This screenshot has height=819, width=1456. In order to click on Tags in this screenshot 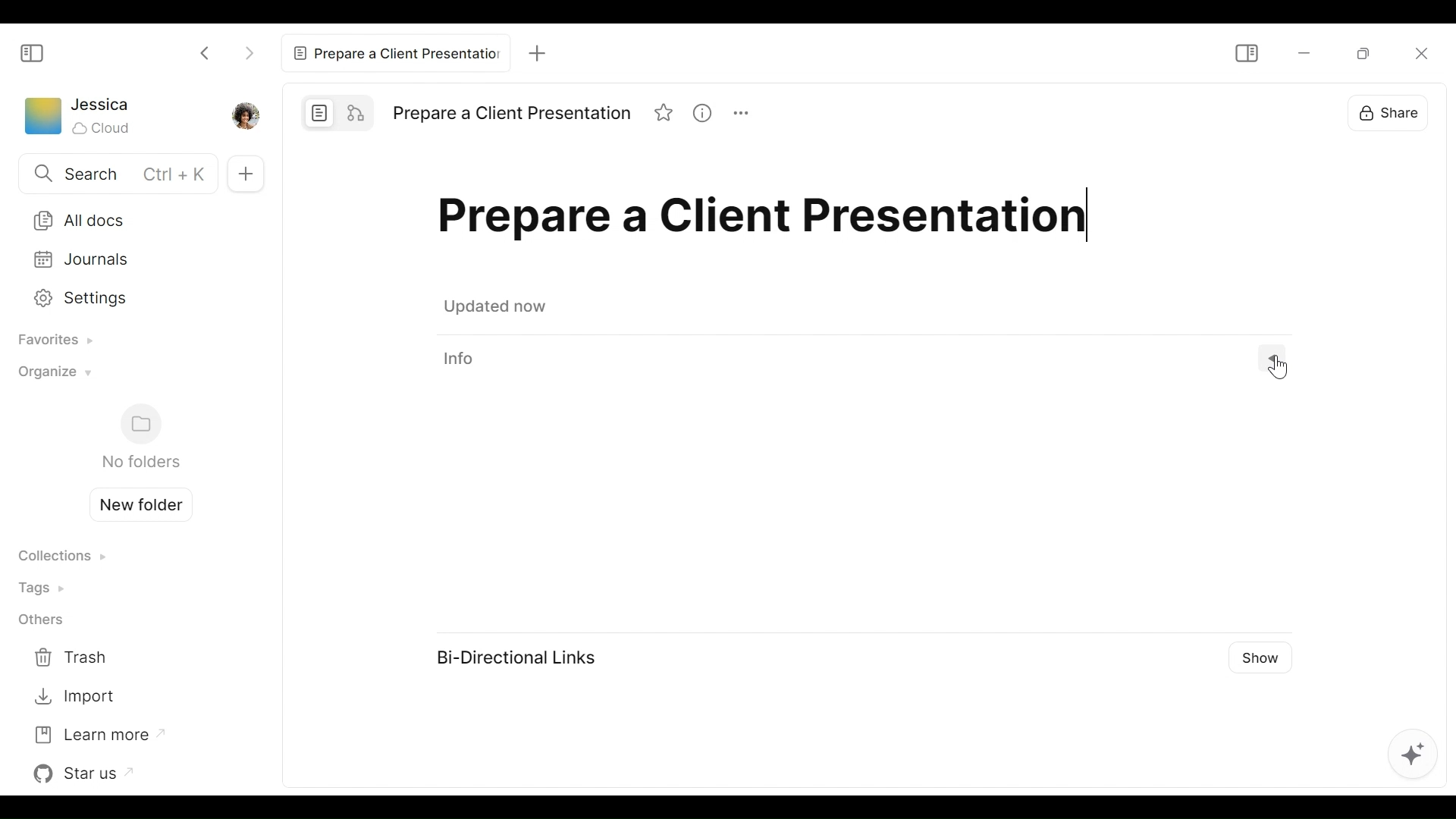, I will do `click(46, 587)`.